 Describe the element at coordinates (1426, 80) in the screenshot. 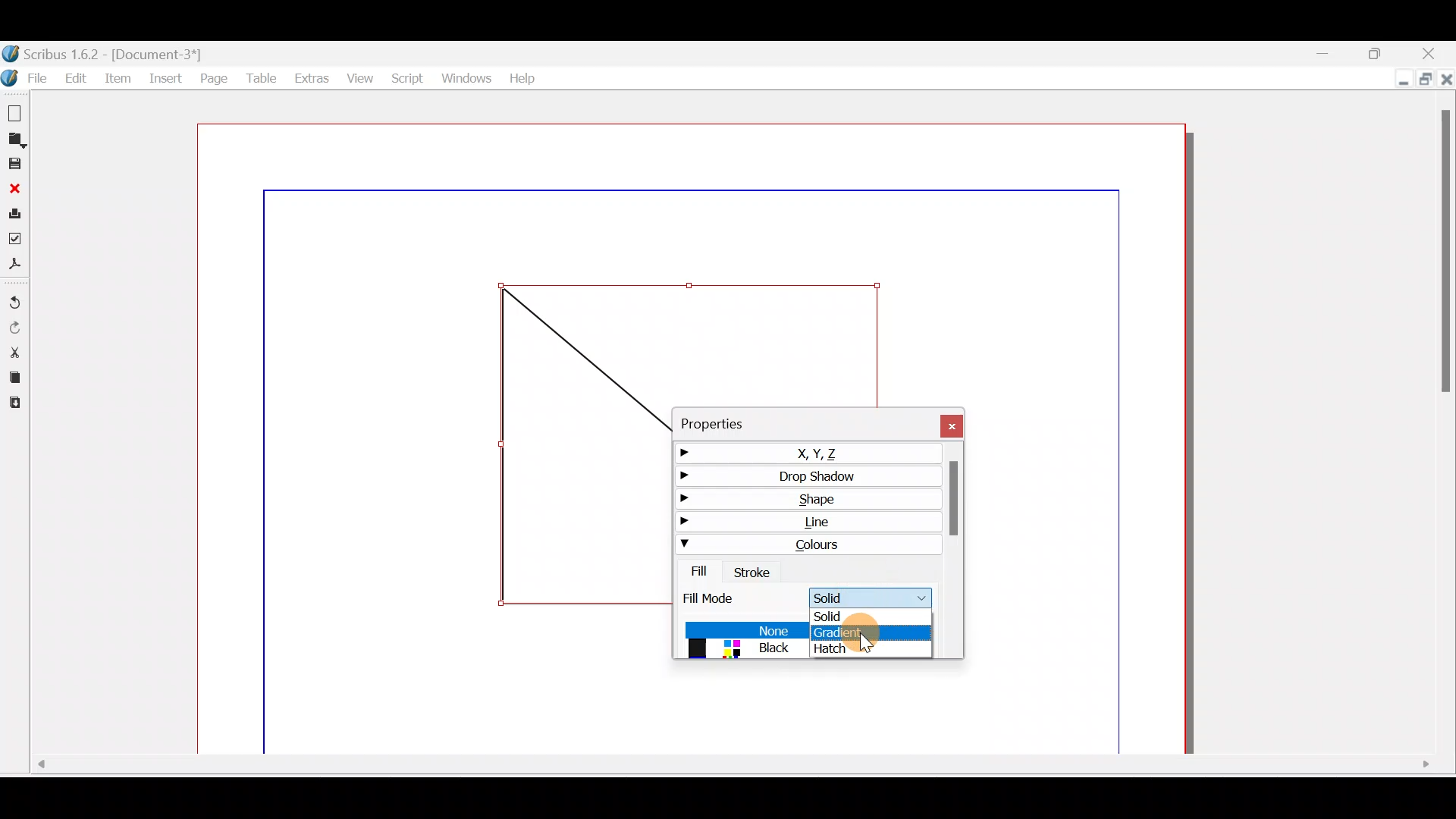

I see `Maximise` at that location.